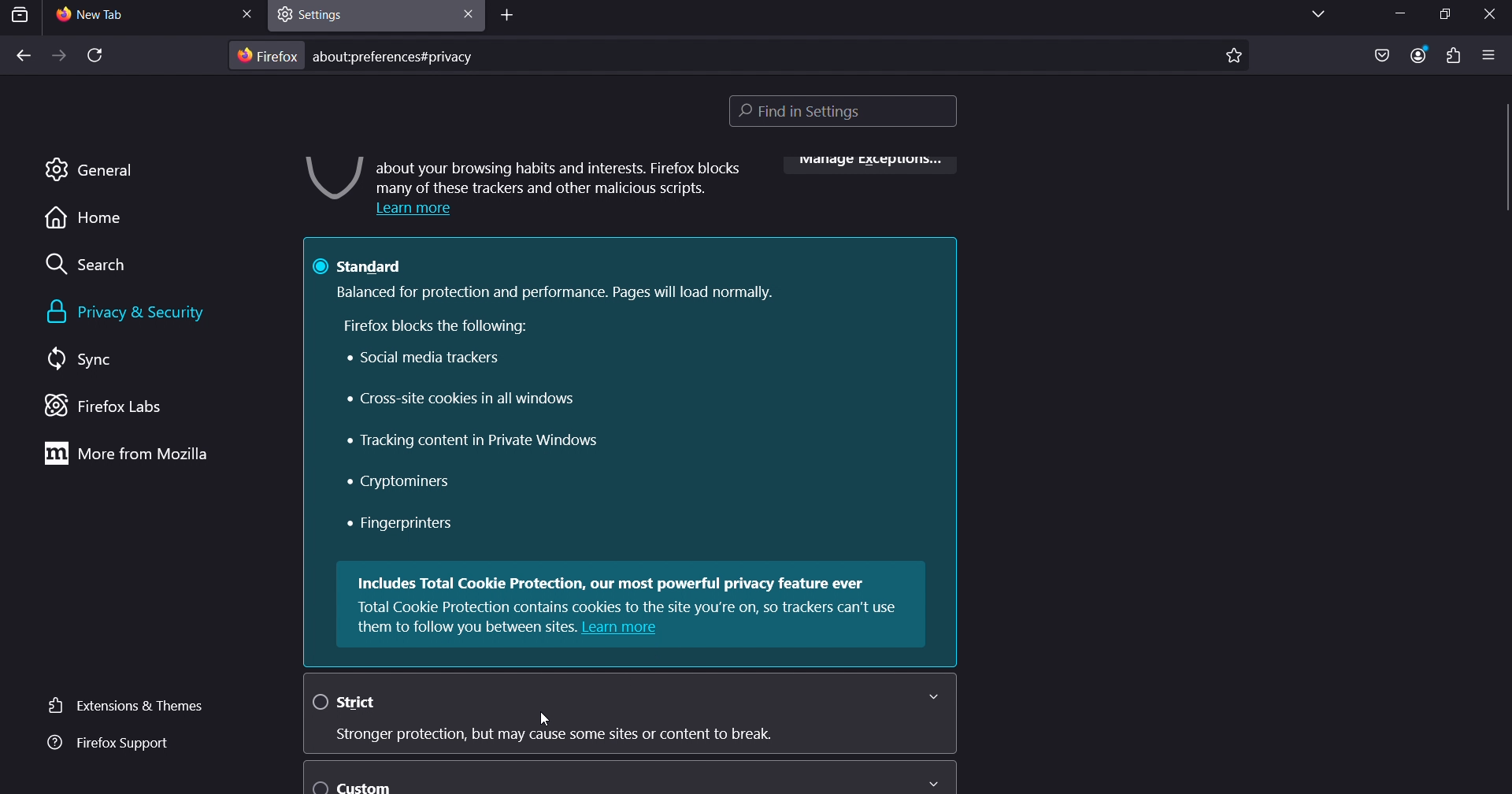 The height and width of the screenshot is (794, 1512). Describe the element at coordinates (268, 56) in the screenshot. I see `firefox` at that location.